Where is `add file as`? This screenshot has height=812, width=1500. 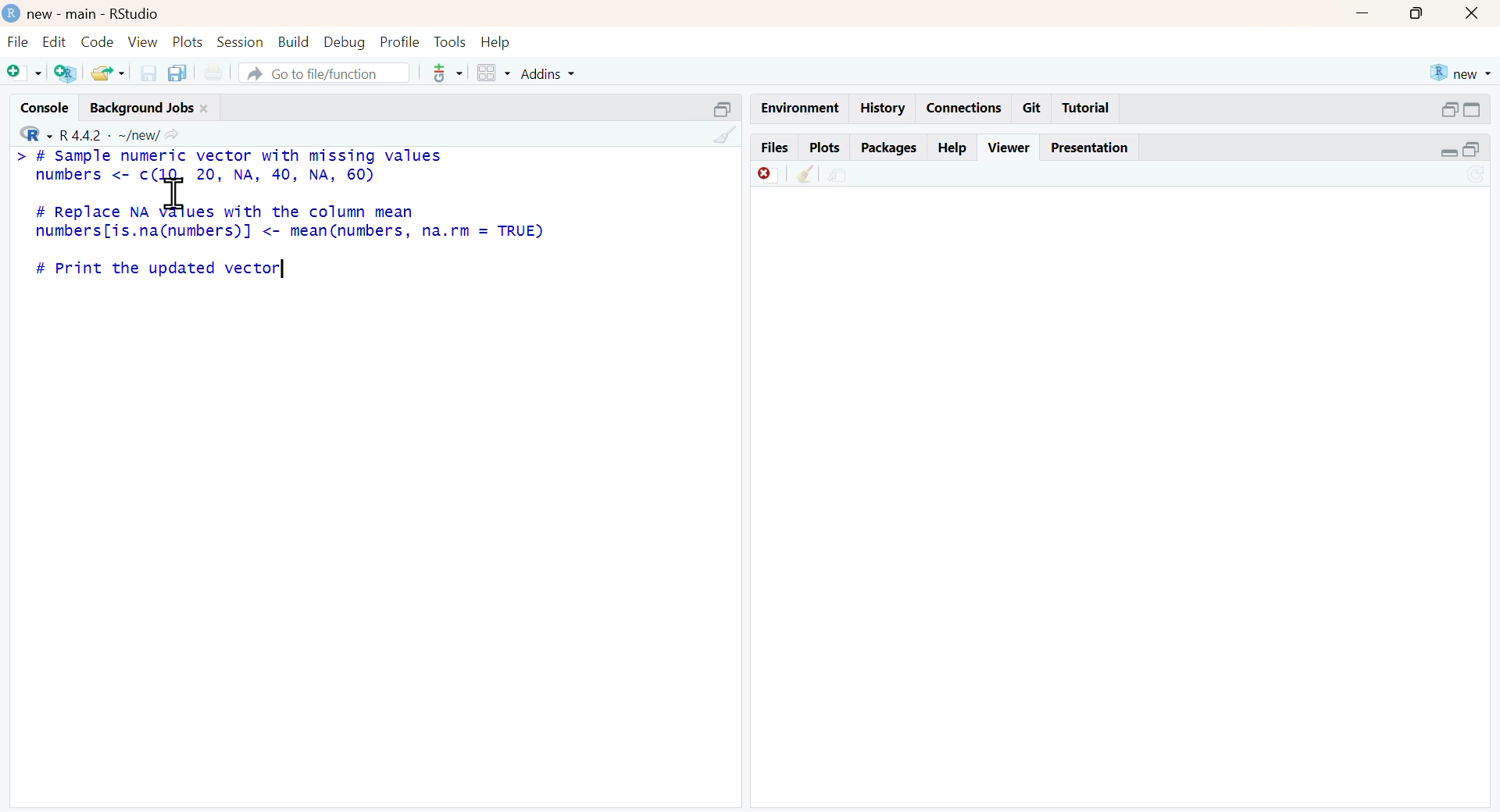 add file as is located at coordinates (25, 73).